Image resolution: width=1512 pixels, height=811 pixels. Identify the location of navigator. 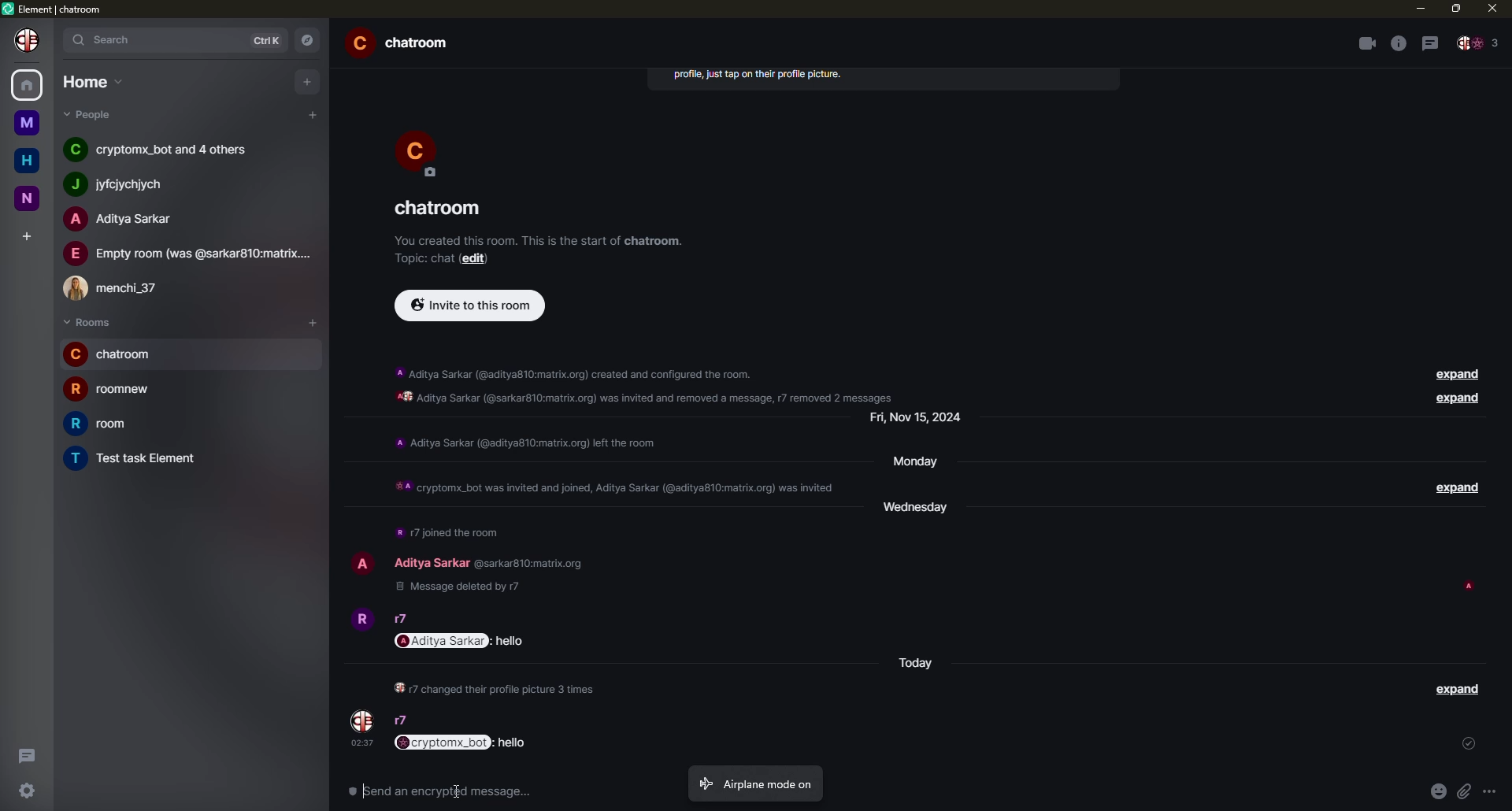
(309, 41).